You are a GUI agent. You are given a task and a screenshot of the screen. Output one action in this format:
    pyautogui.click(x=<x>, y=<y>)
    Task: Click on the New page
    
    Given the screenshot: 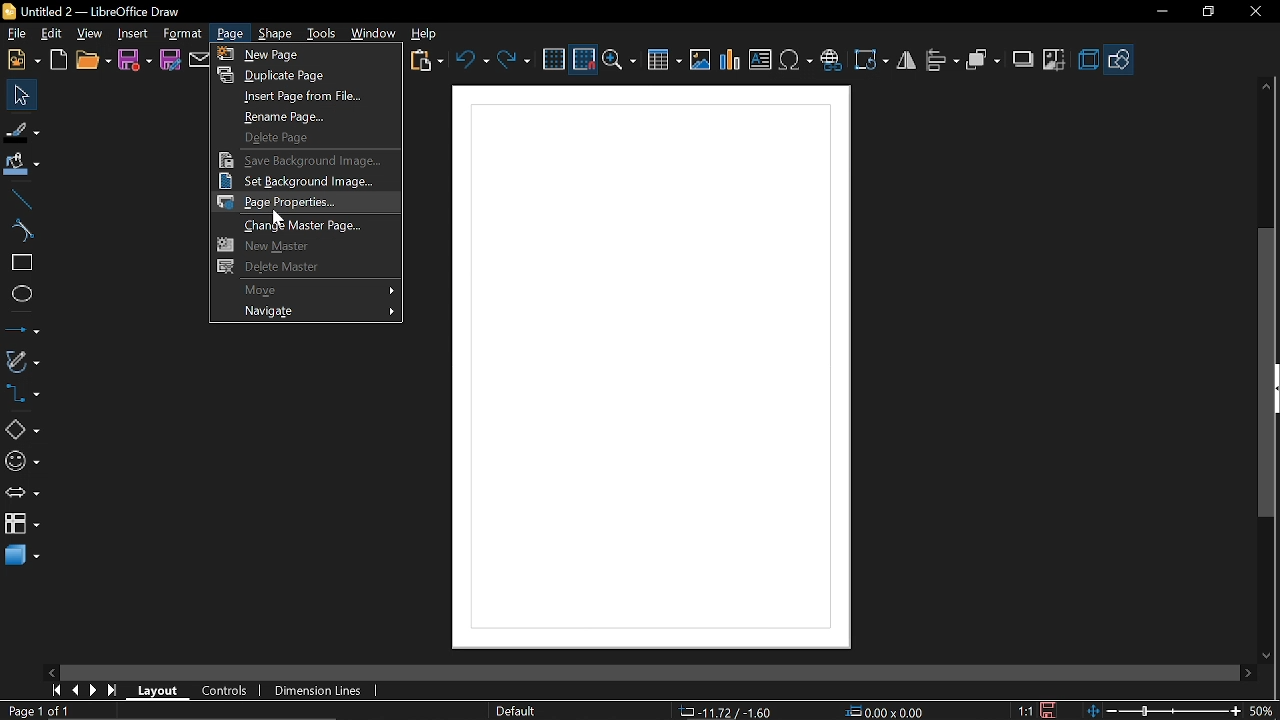 What is the action you would take?
    pyautogui.click(x=304, y=53)
    